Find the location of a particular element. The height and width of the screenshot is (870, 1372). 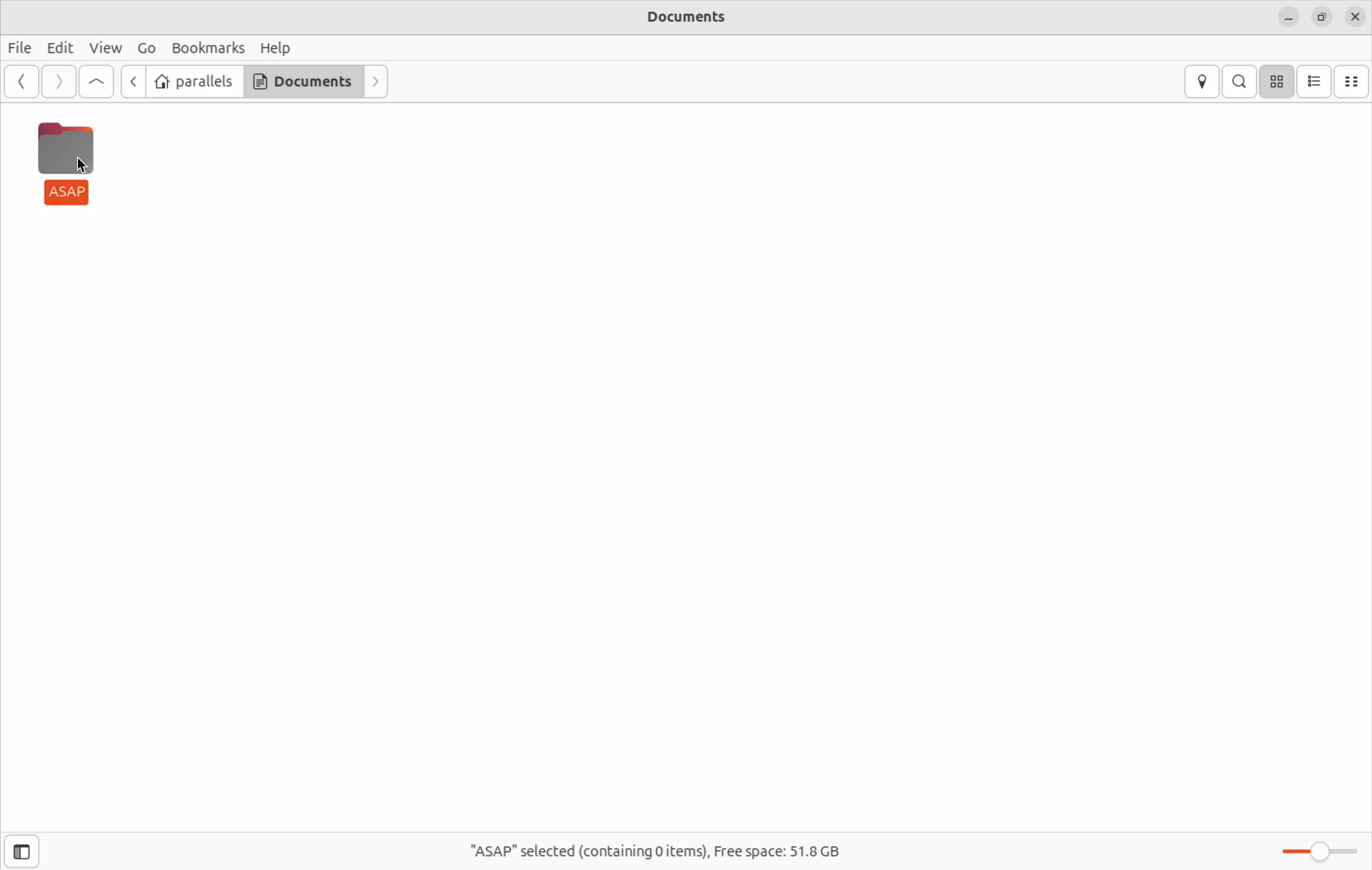

File is located at coordinates (21, 49).